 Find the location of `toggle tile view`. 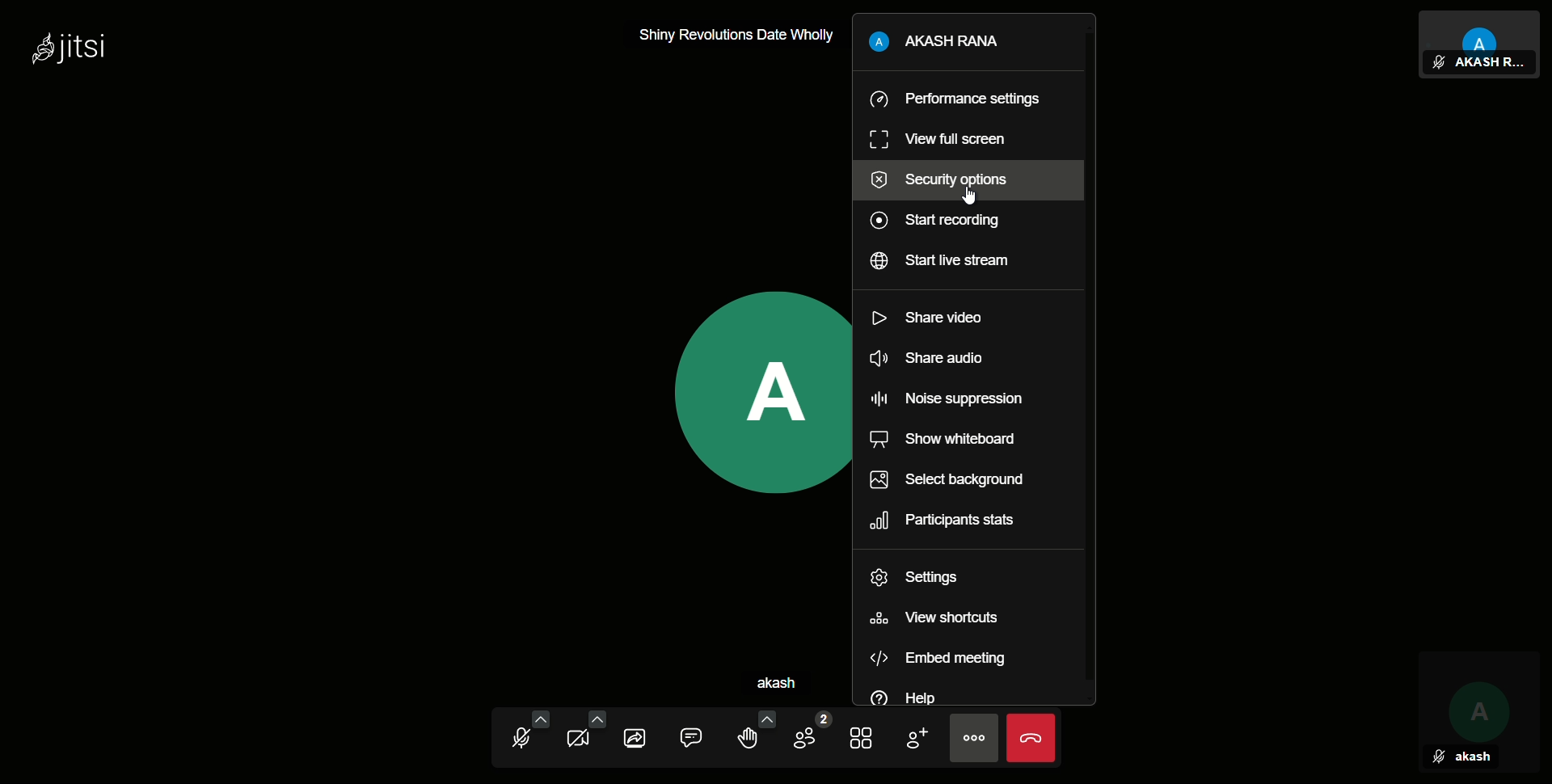

toggle tile view is located at coordinates (864, 735).